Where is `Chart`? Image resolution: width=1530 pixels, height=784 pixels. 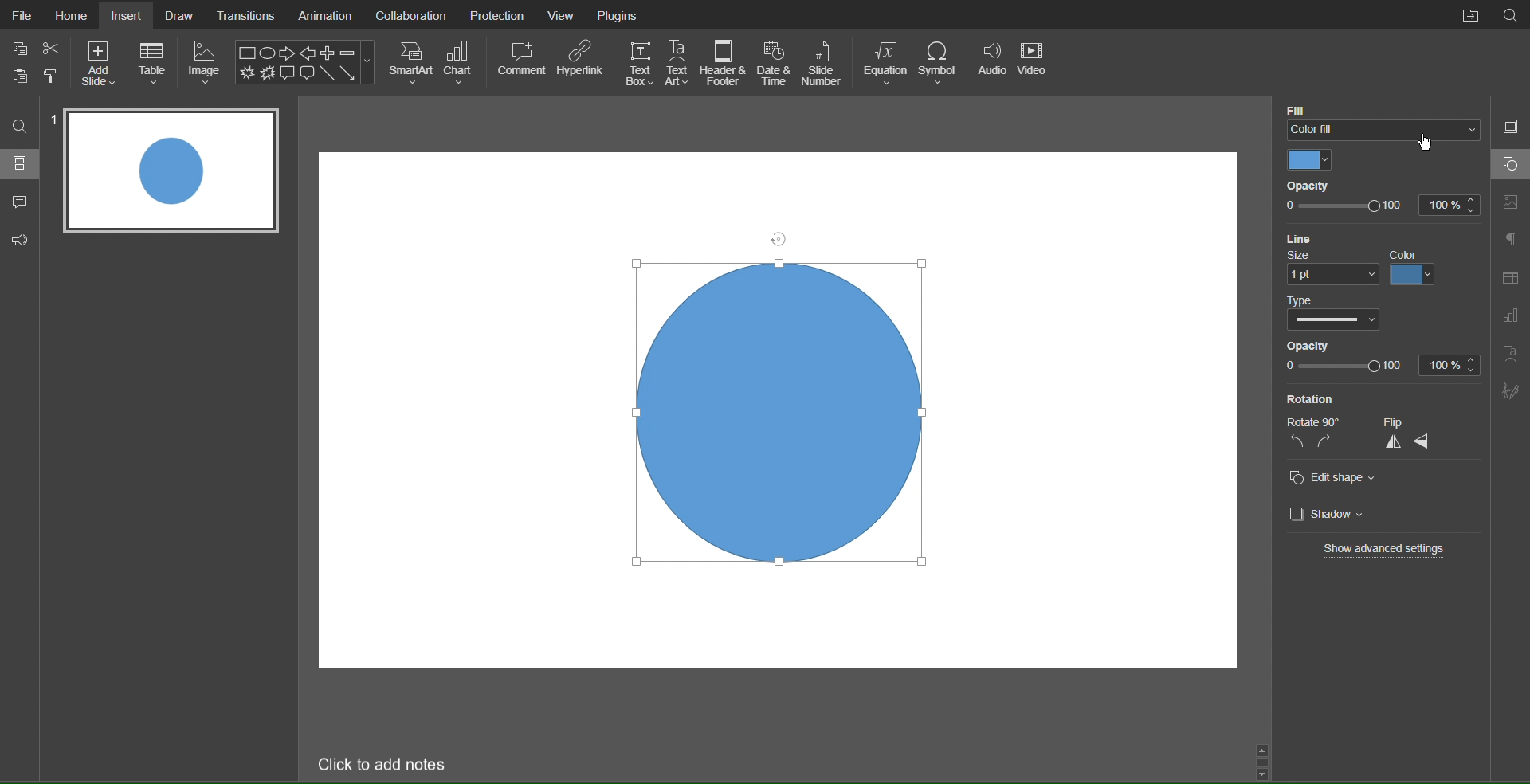
Chart is located at coordinates (462, 64).